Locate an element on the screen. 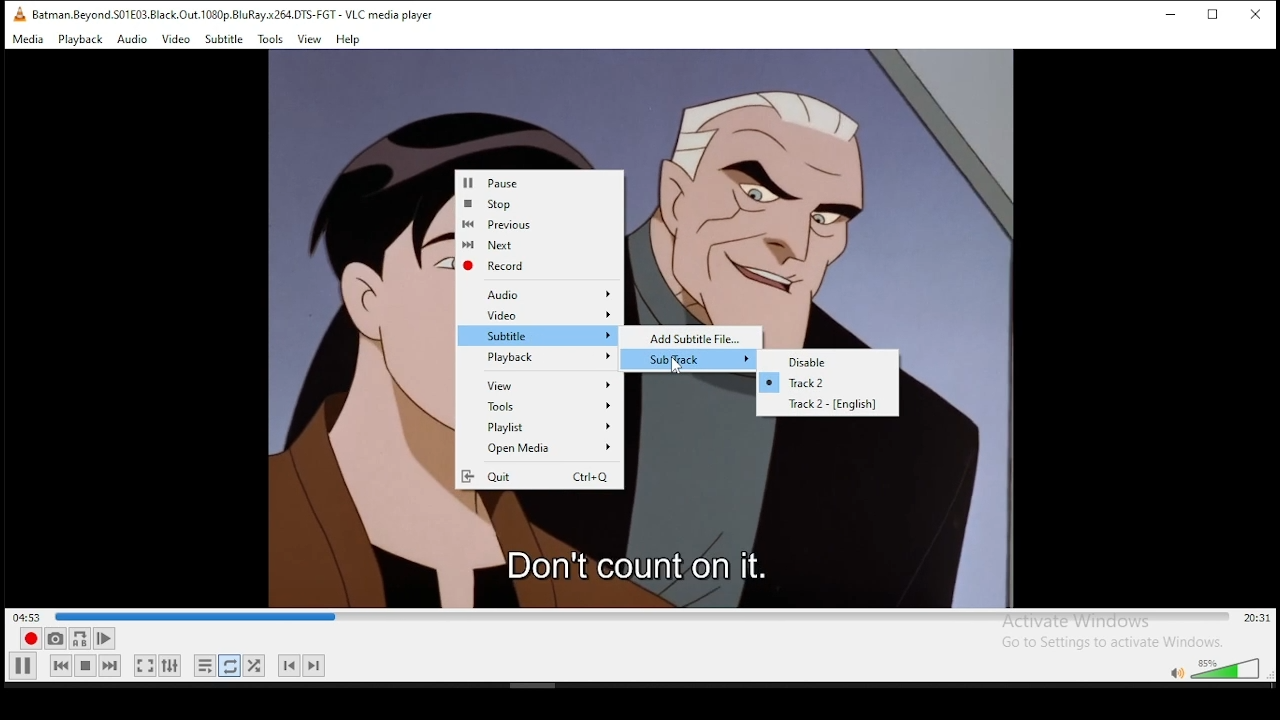  A-B Repeat (A-B Icon) is located at coordinates (81, 639).